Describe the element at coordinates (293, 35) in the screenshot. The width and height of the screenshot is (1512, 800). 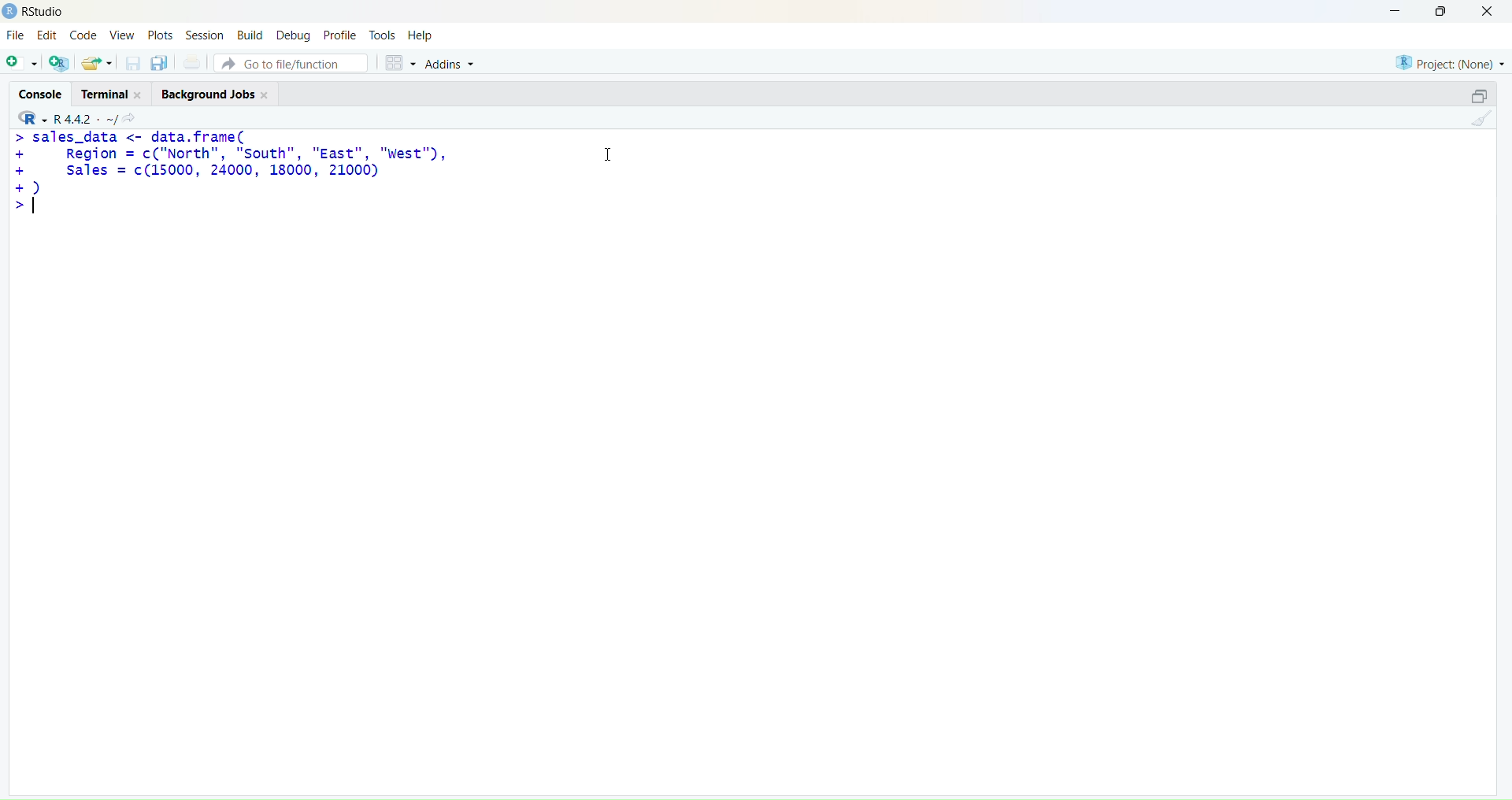
I see `Debug` at that location.